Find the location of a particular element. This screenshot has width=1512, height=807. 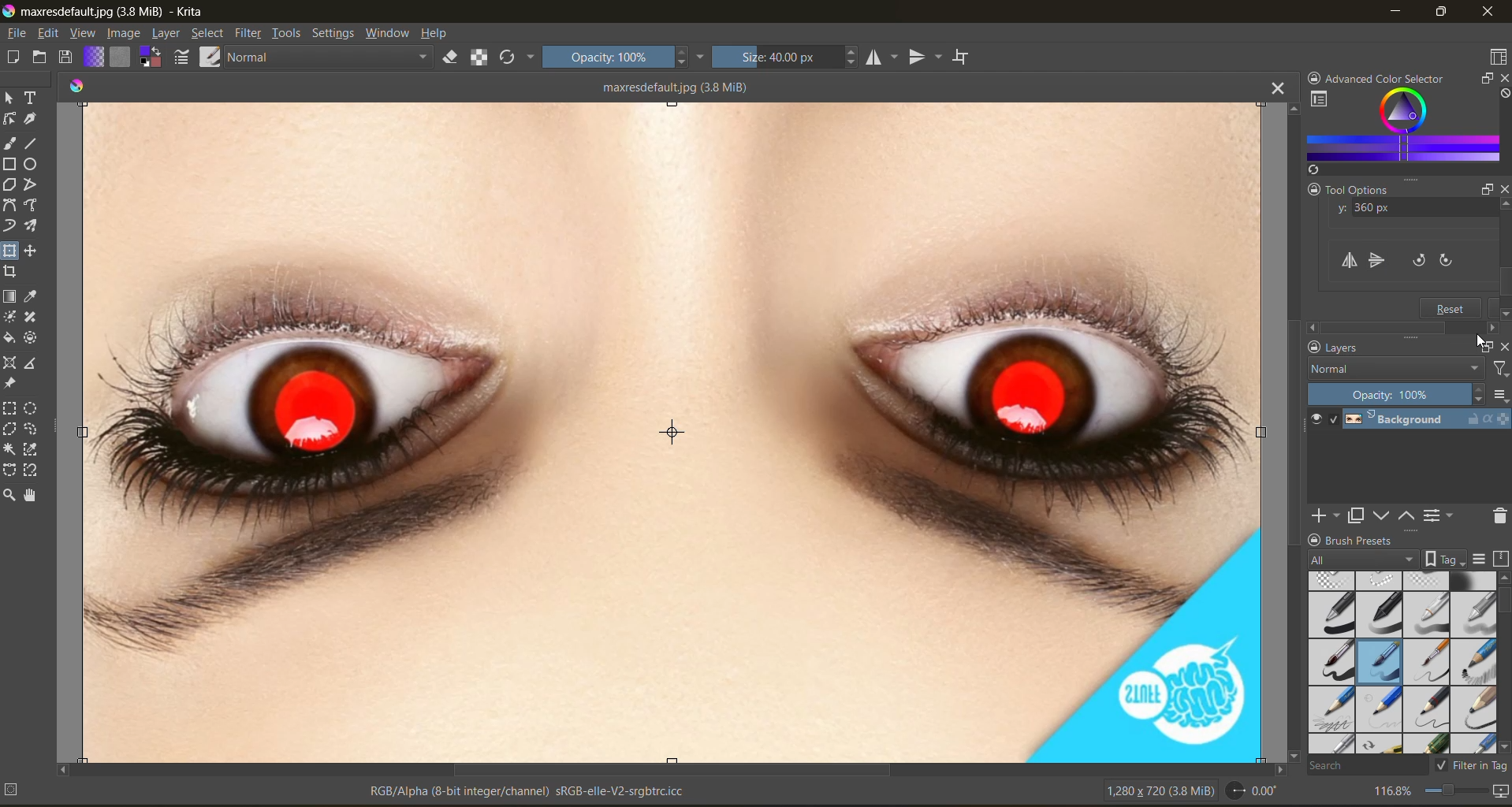

filter is located at coordinates (1498, 367).